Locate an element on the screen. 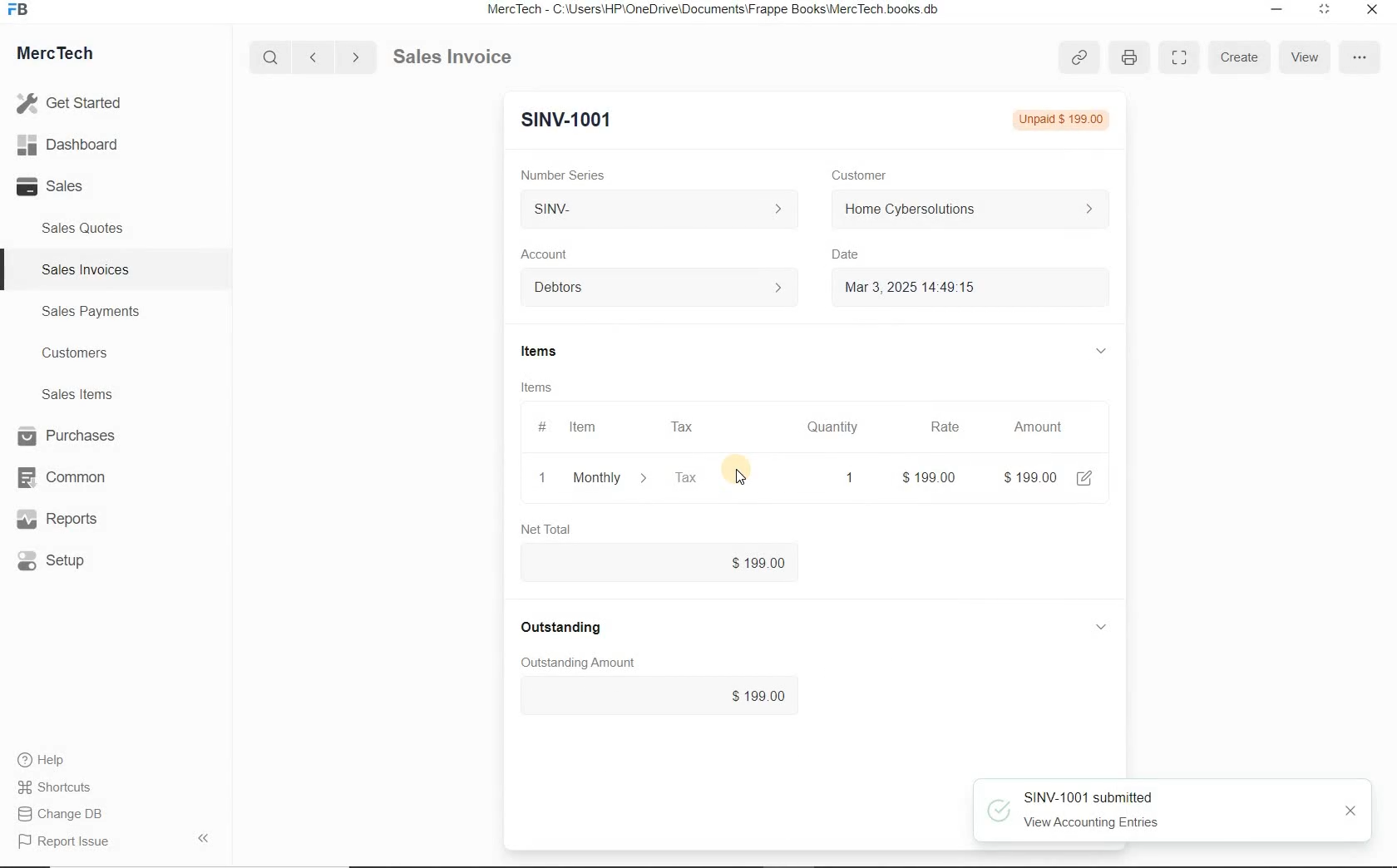 This screenshot has height=868, width=1397. Customer is located at coordinates (865, 175).